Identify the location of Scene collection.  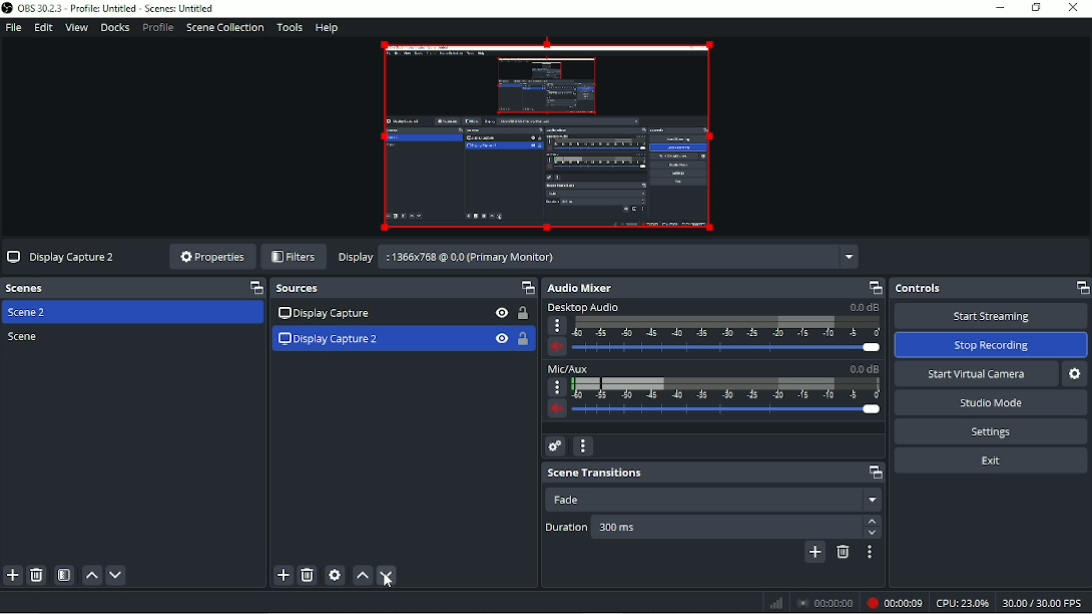
(224, 27).